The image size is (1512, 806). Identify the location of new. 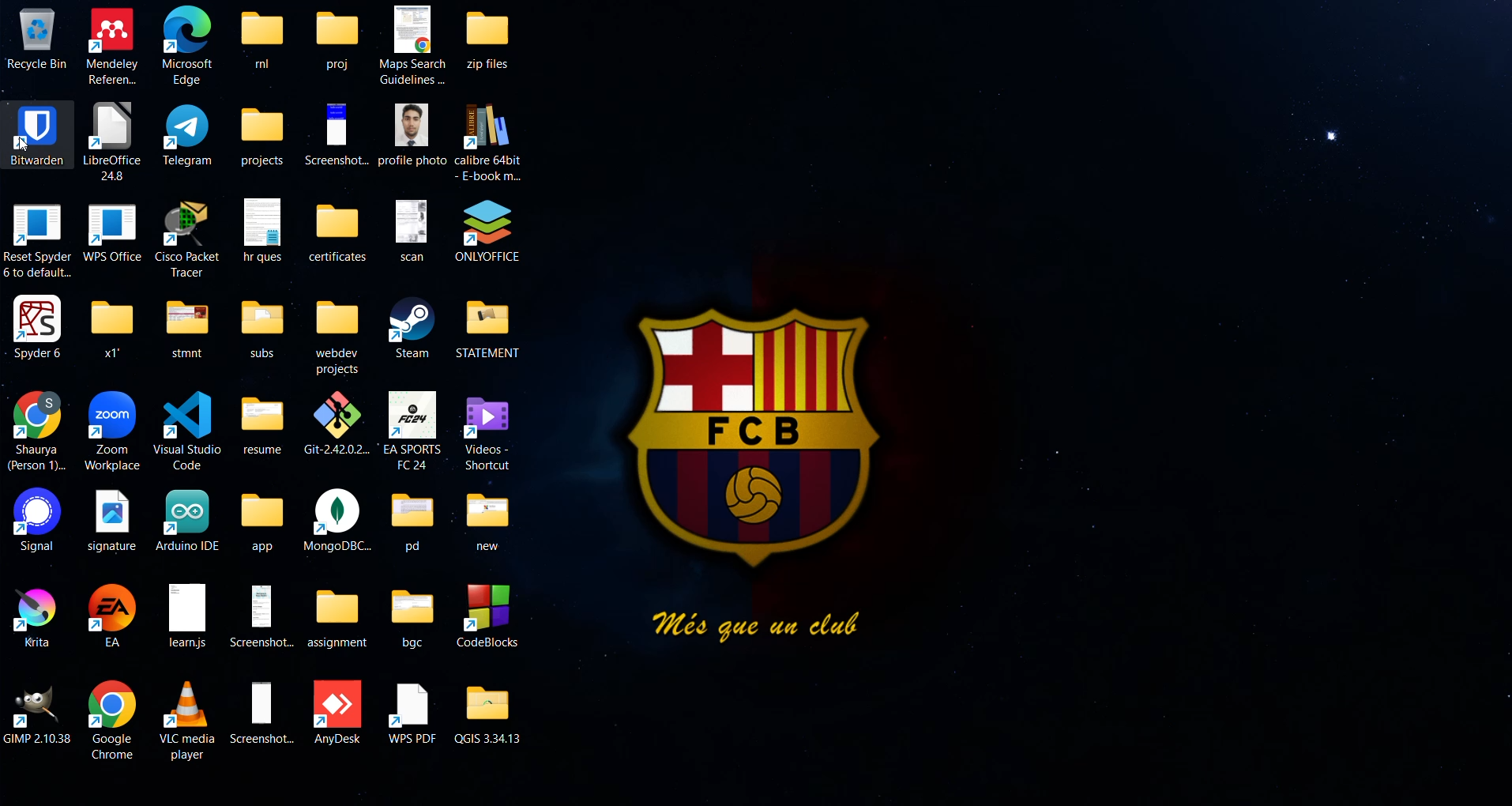
(487, 521).